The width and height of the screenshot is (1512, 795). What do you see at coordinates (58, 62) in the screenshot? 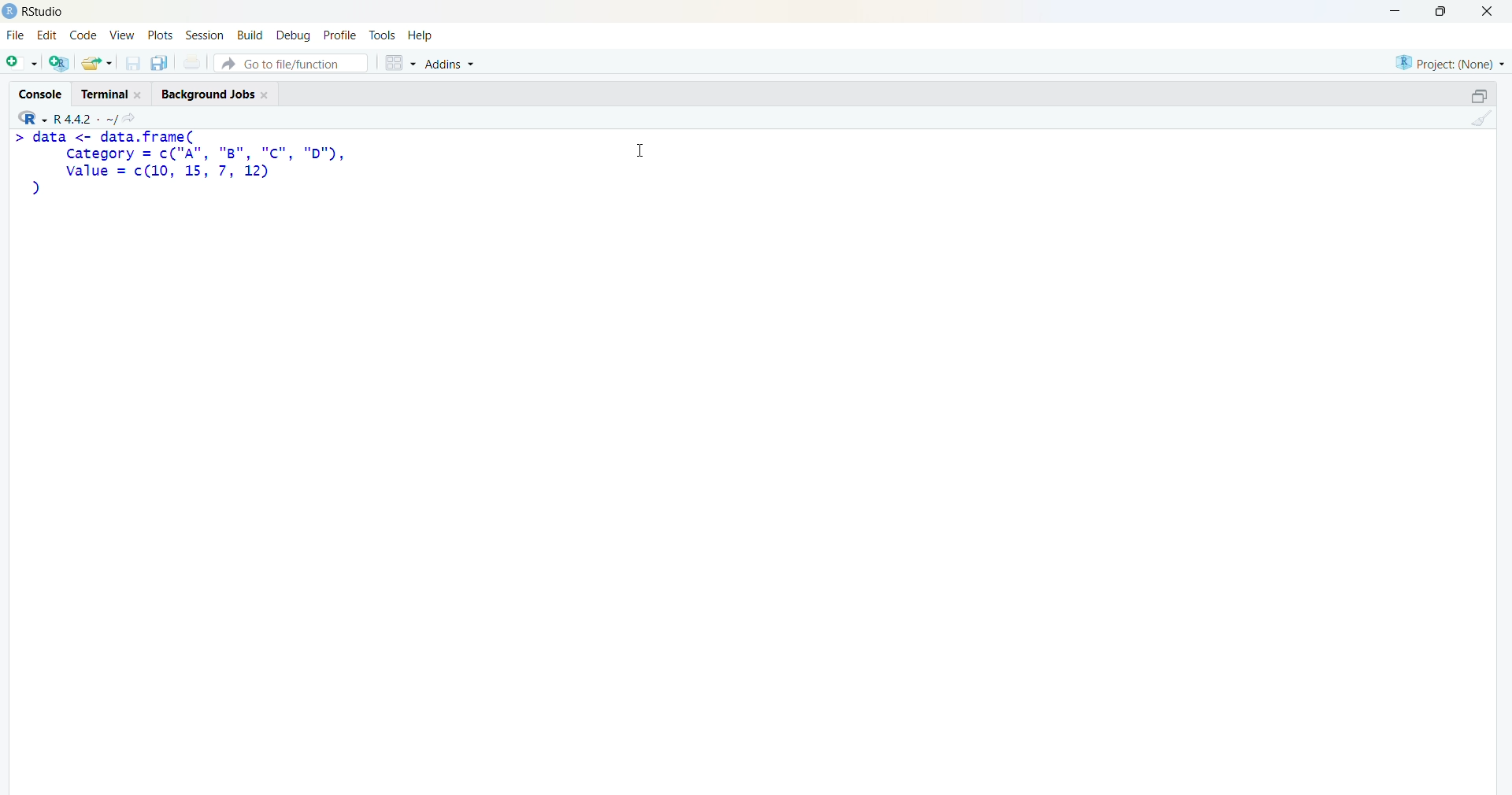
I see `create a project` at bounding box center [58, 62].